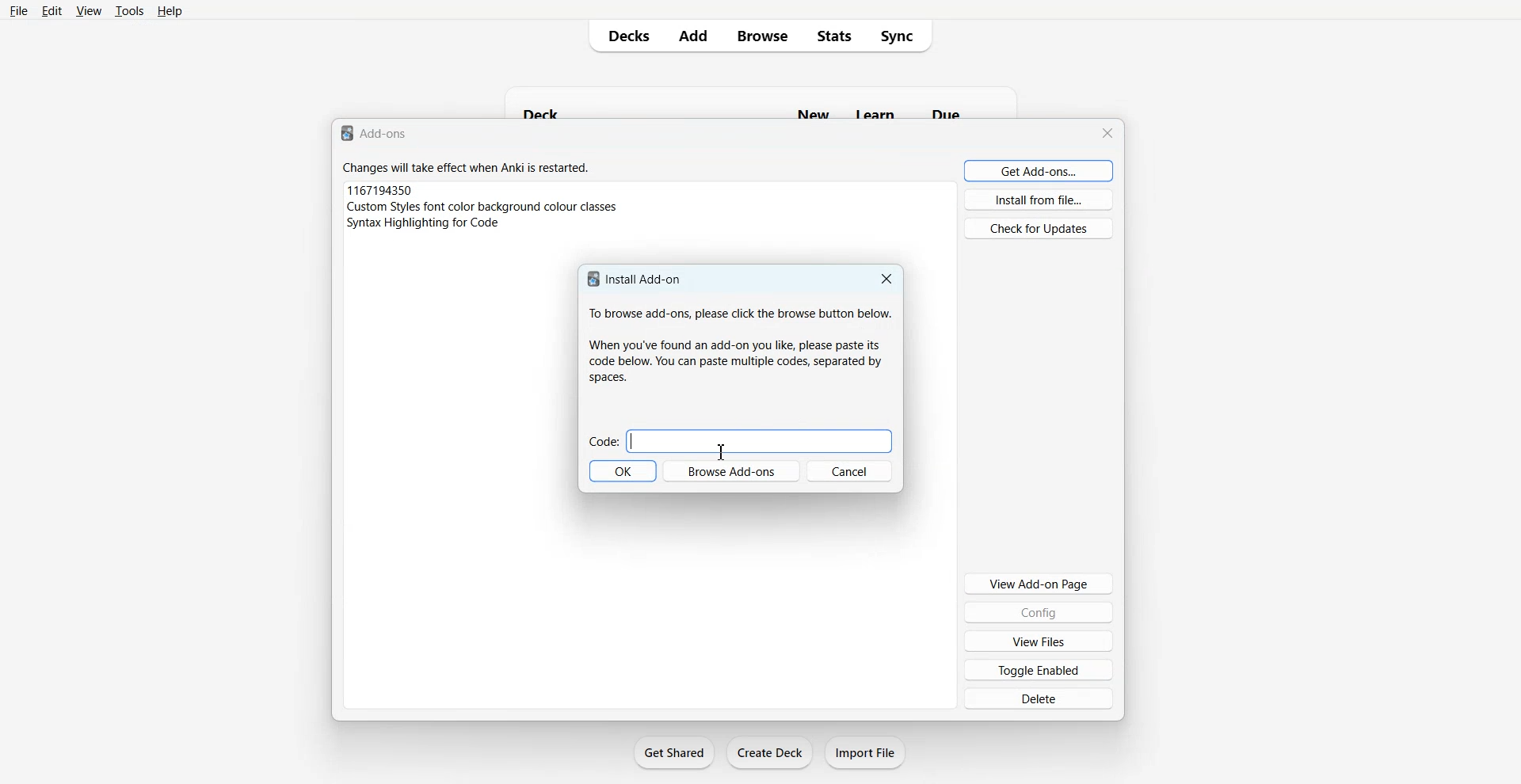  I want to click on Config, so click(1039, 612).